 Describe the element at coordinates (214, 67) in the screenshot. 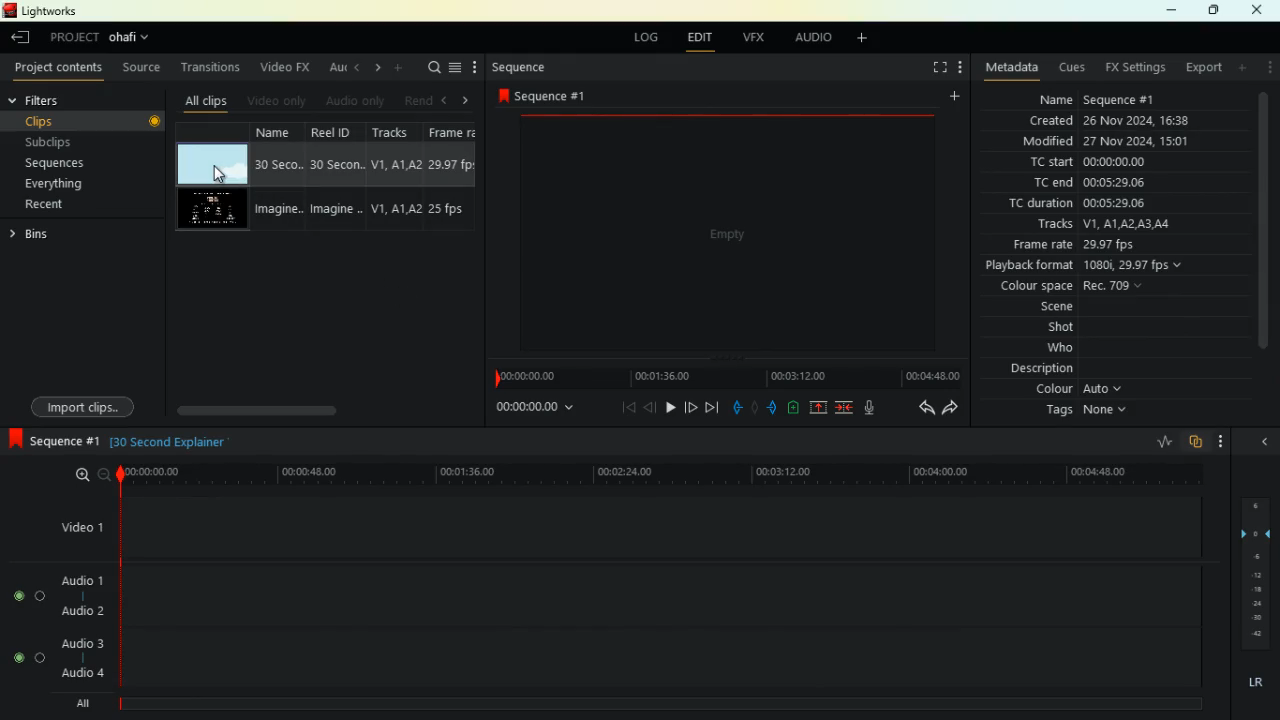

I see `transitions` at that location.